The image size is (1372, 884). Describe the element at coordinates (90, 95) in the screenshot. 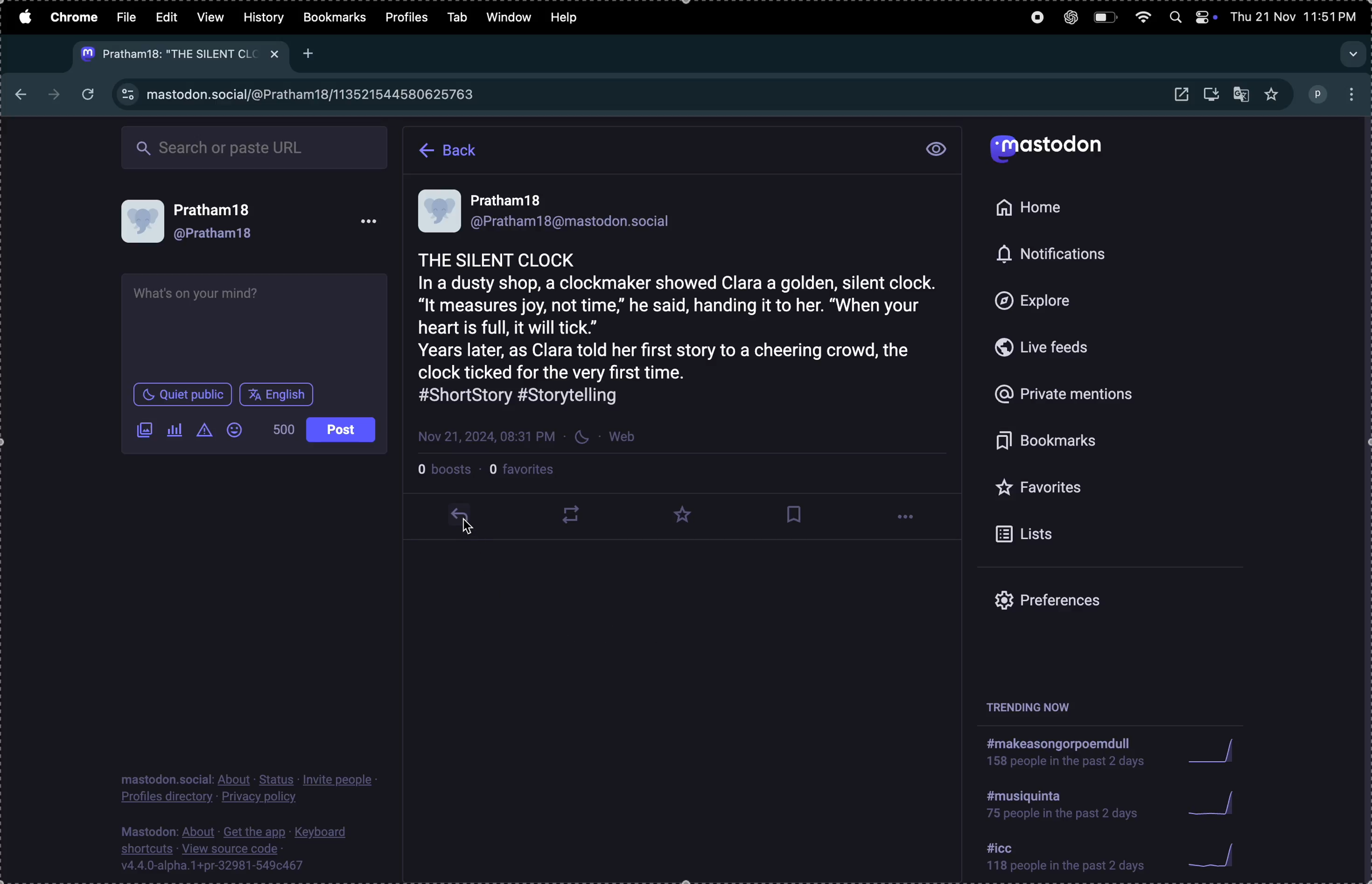

I see `refresh` at that location.